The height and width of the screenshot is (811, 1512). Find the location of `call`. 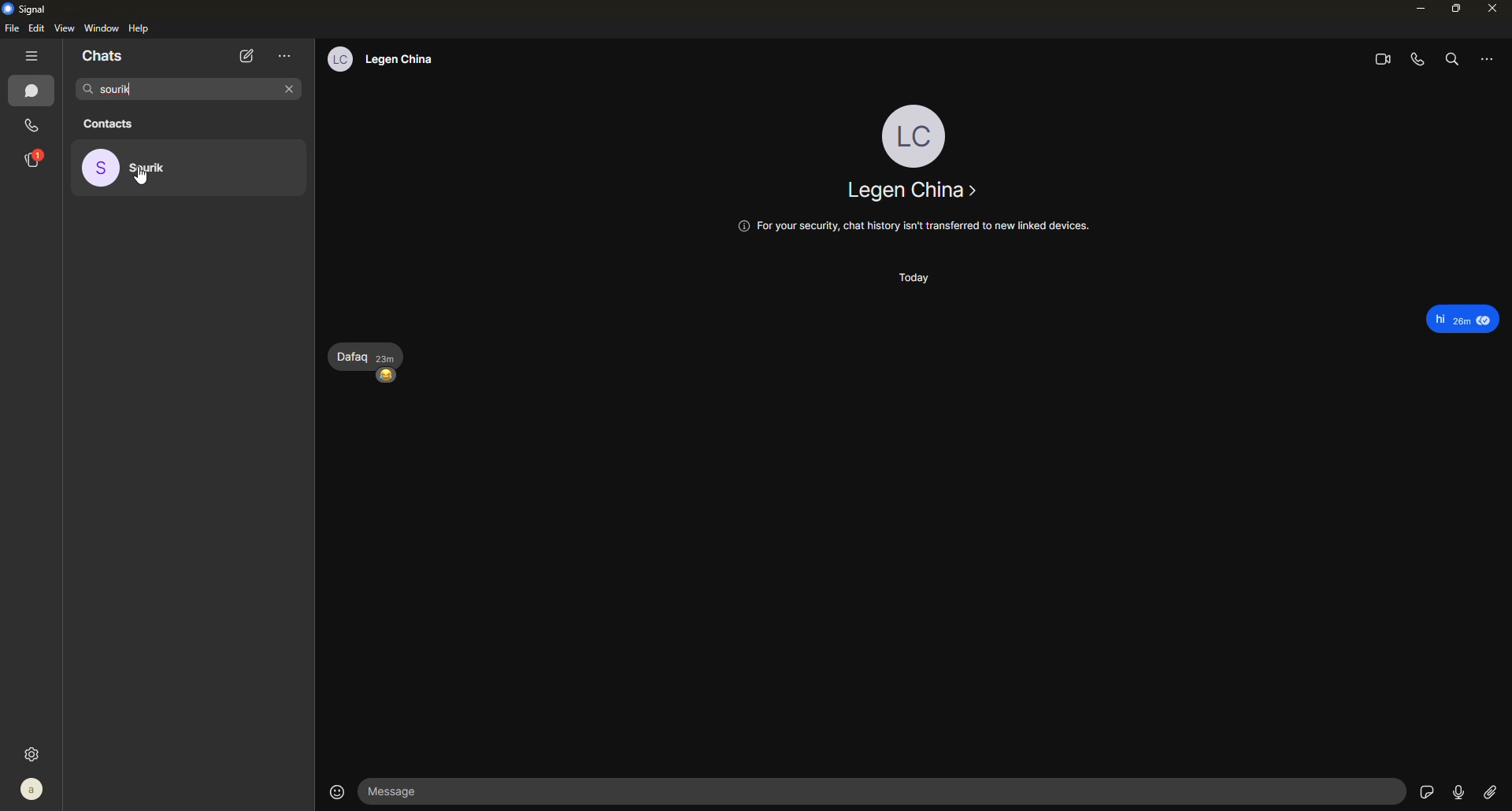

call is located at coordinates (35, 128).